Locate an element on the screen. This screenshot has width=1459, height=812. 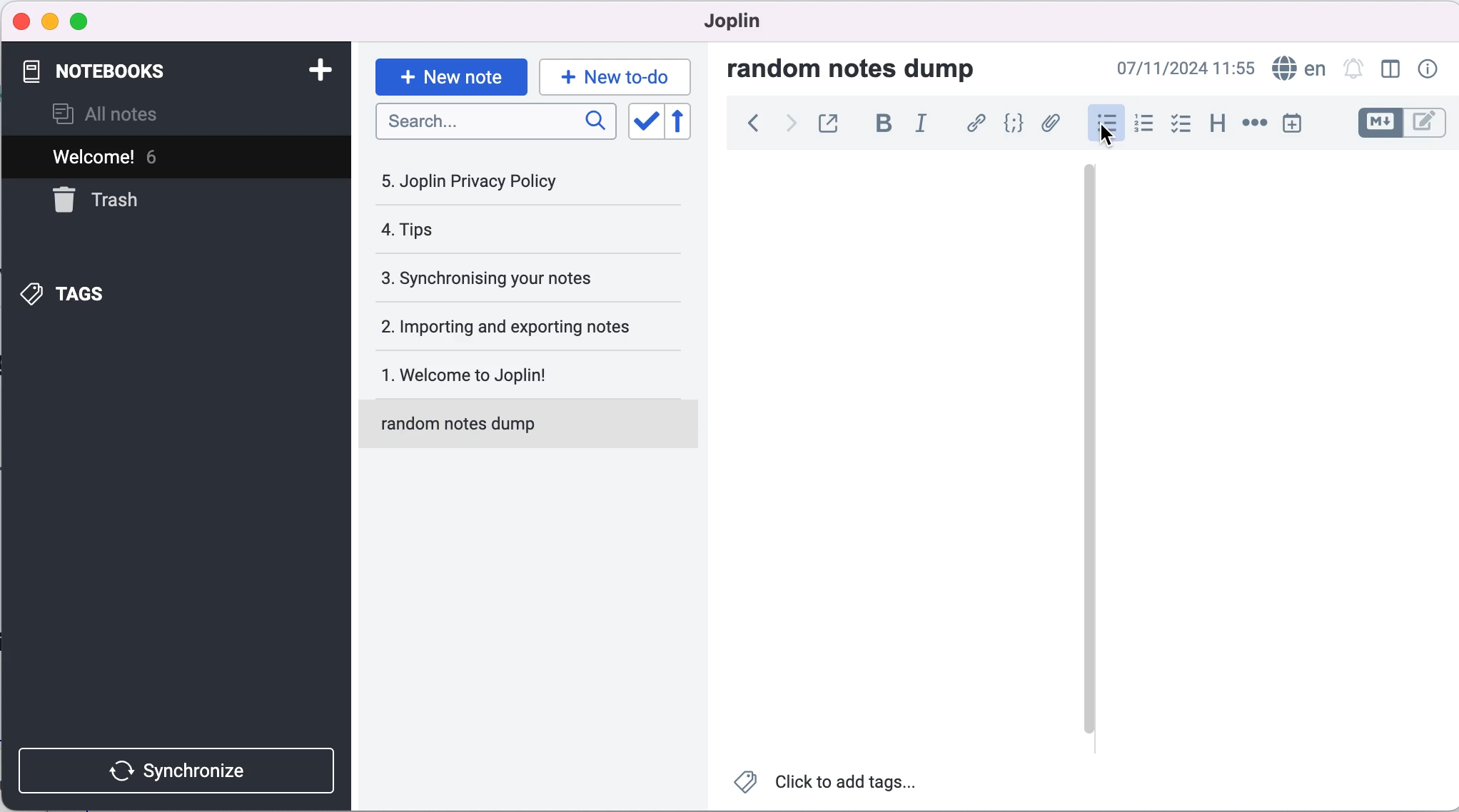
joplin privacy policy is located at coordinates (486, 181).